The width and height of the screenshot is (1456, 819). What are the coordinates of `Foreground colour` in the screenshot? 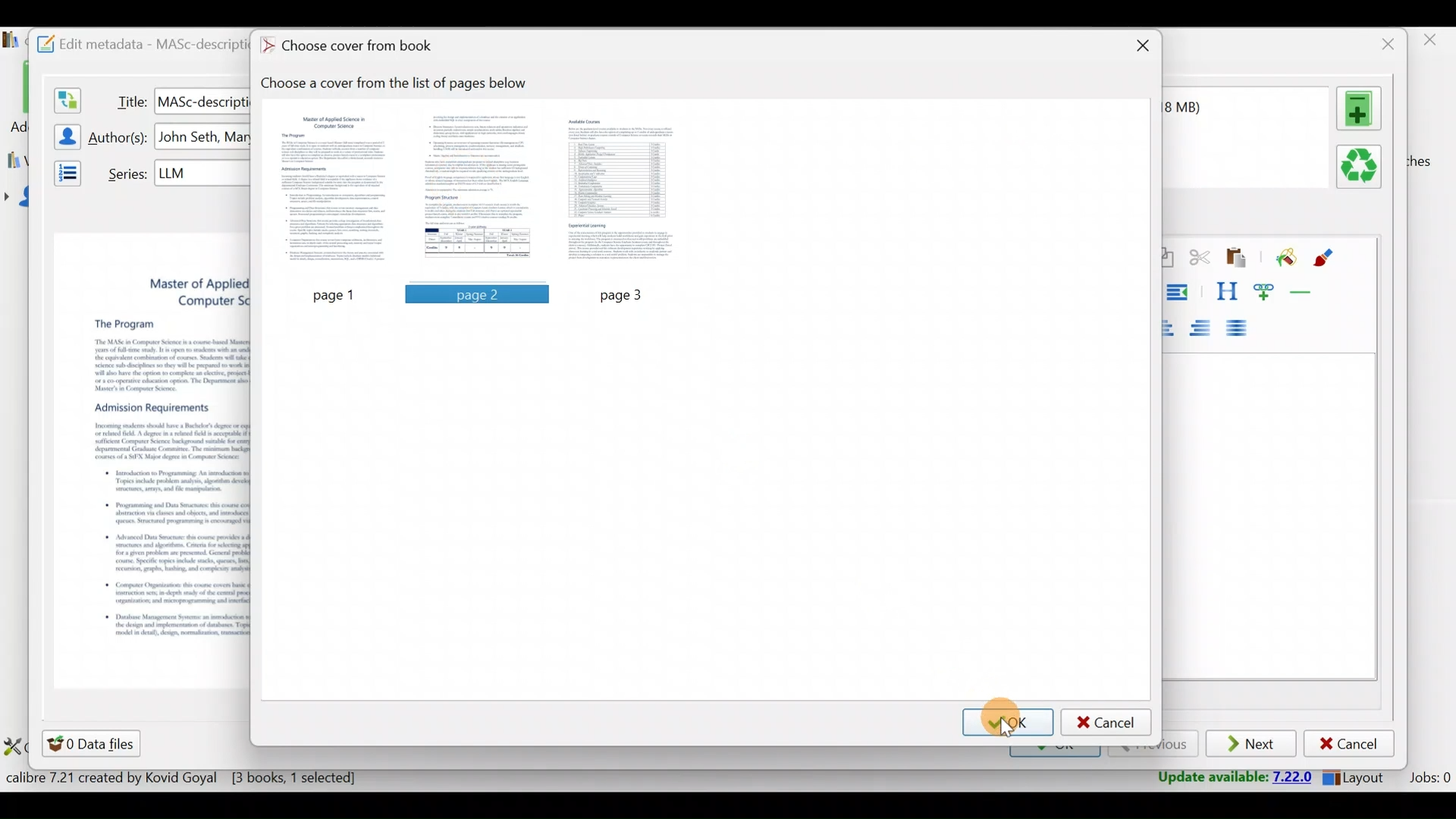 It's located at (1326, 258).